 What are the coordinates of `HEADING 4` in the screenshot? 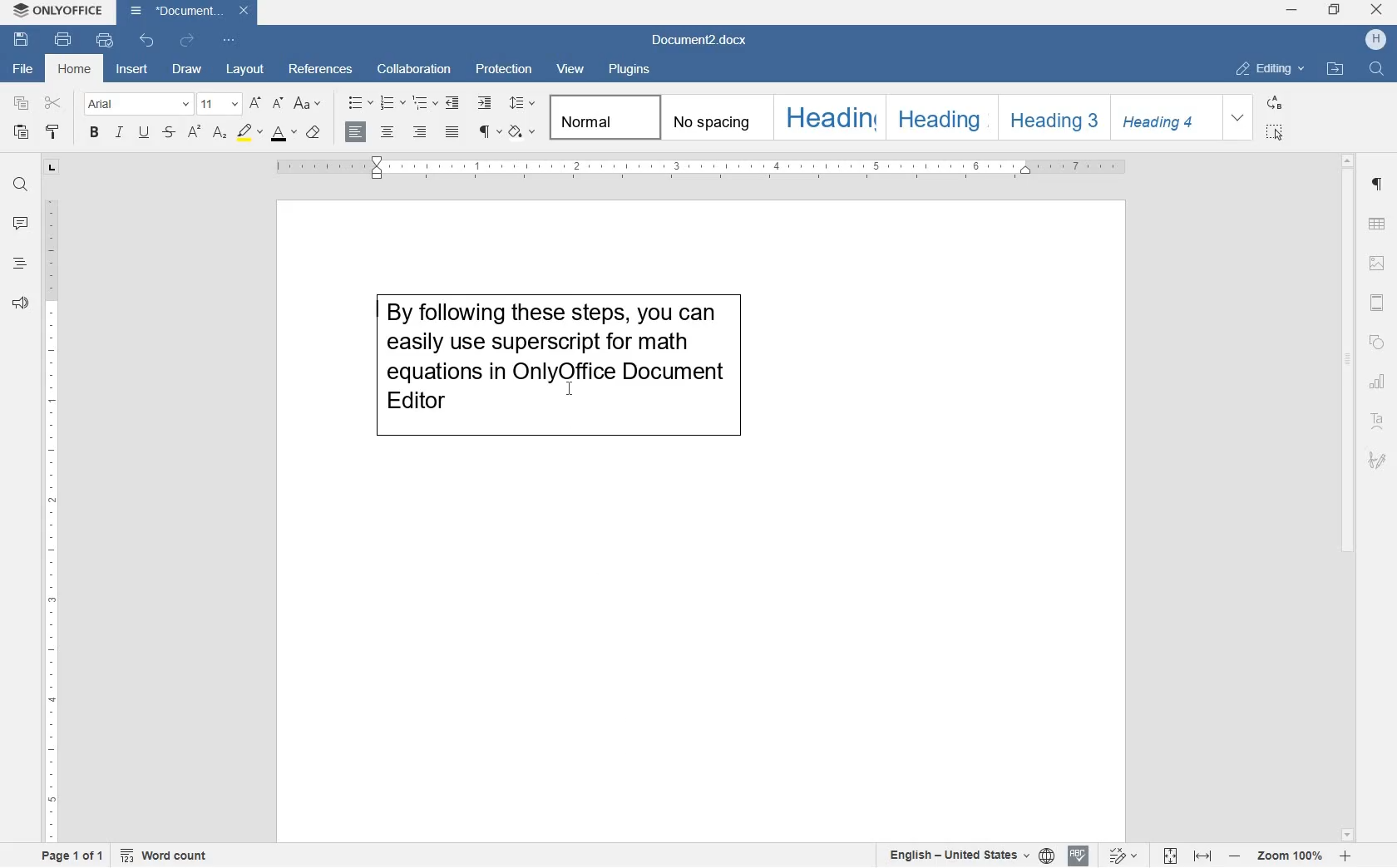 It's located at (1161, 118).